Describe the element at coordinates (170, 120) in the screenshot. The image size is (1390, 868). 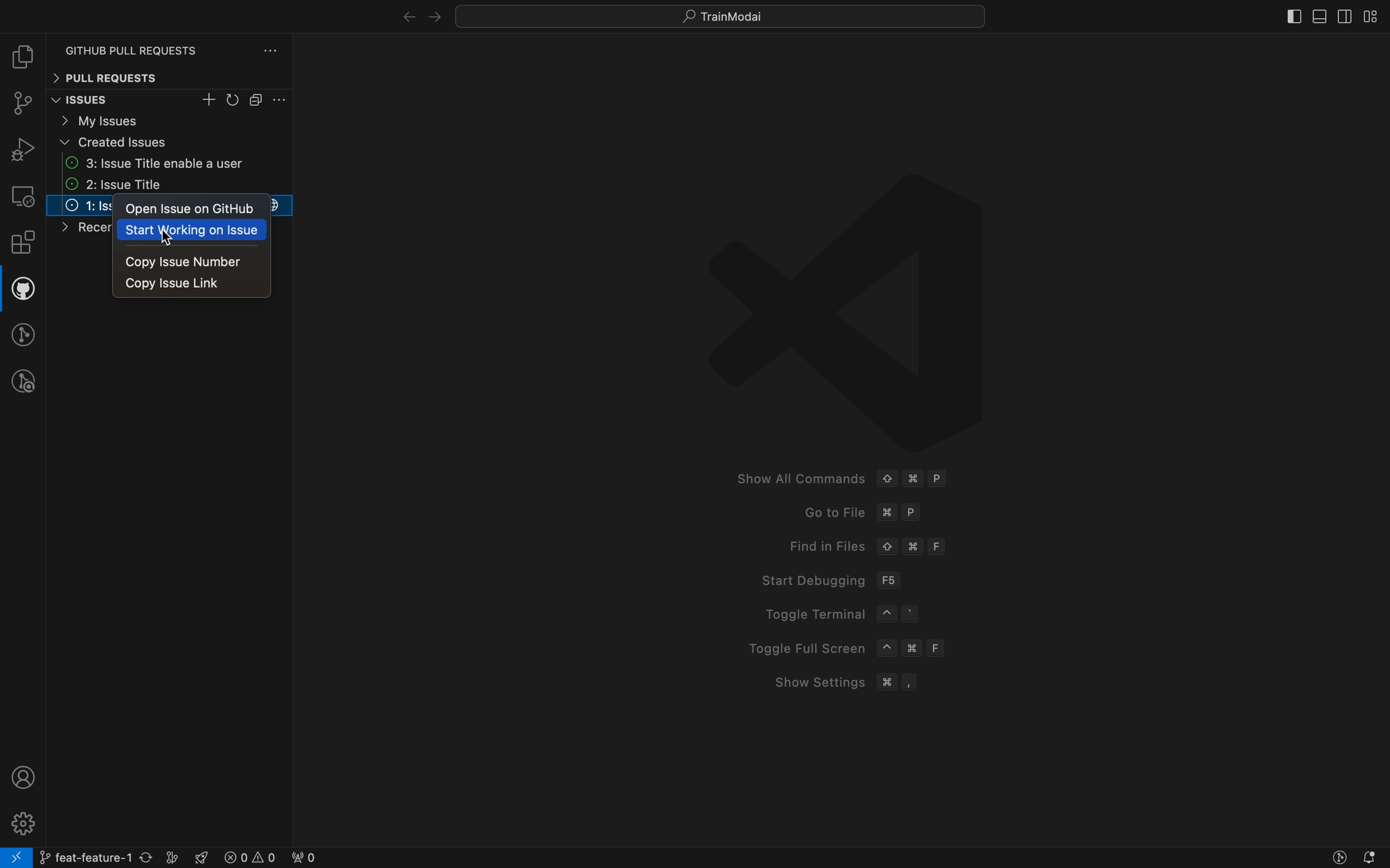
I see `my issues` at that location.